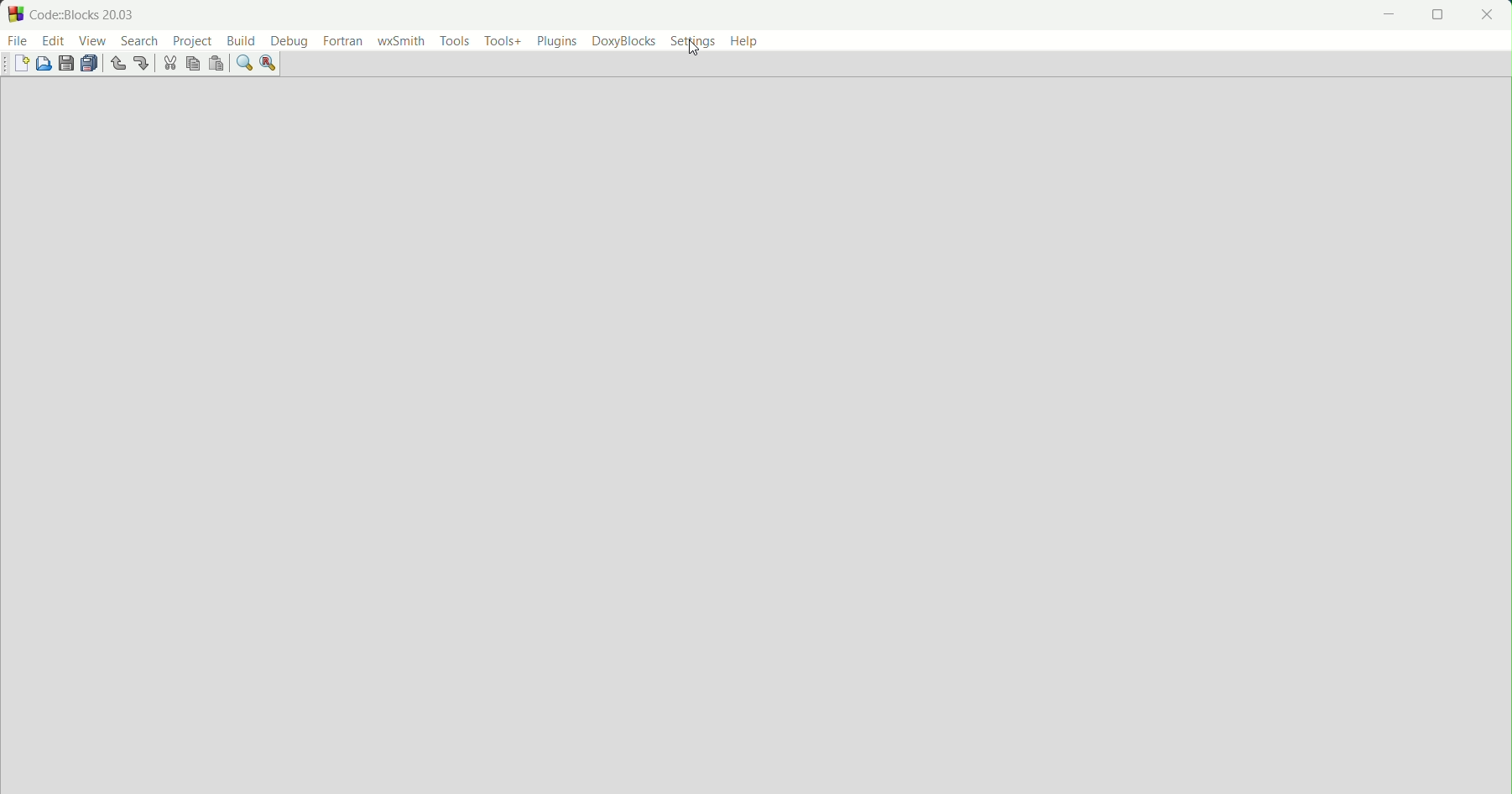 This screenshot has width=1512, height=794. I want to click on view, so click(93, 41).